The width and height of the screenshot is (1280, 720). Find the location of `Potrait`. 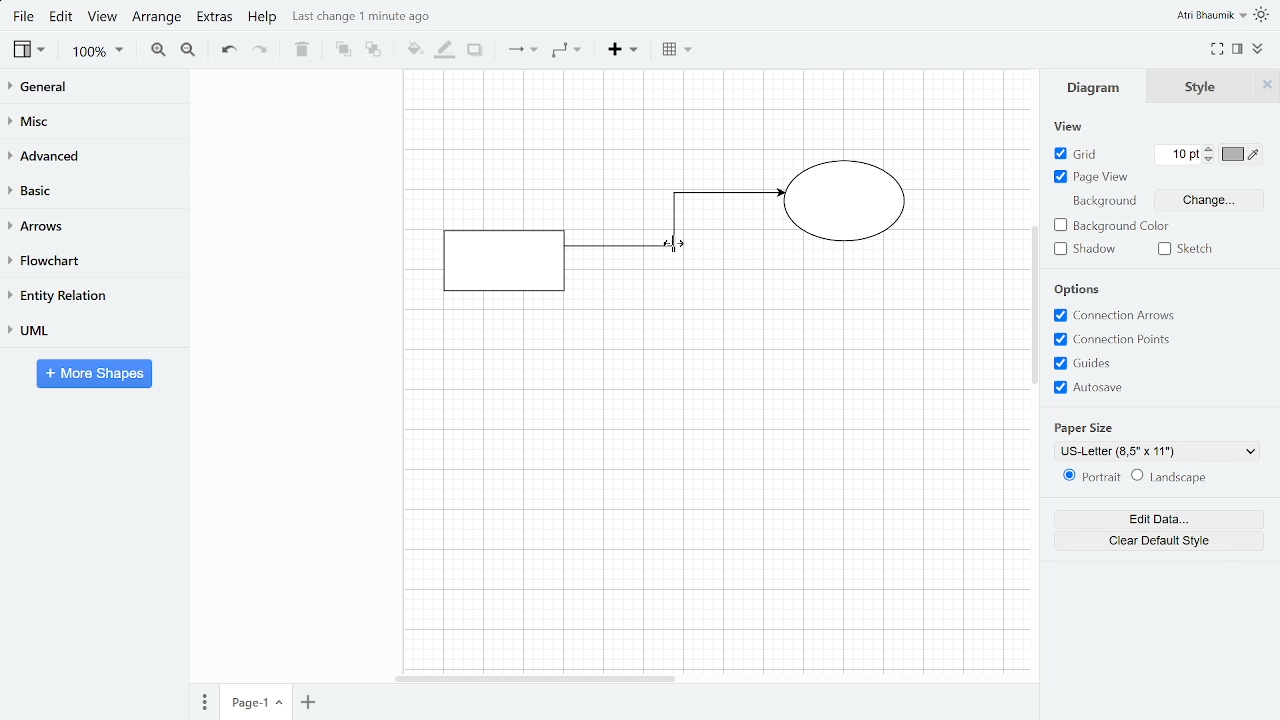

Potrait is located at coordinates (1087, 478).